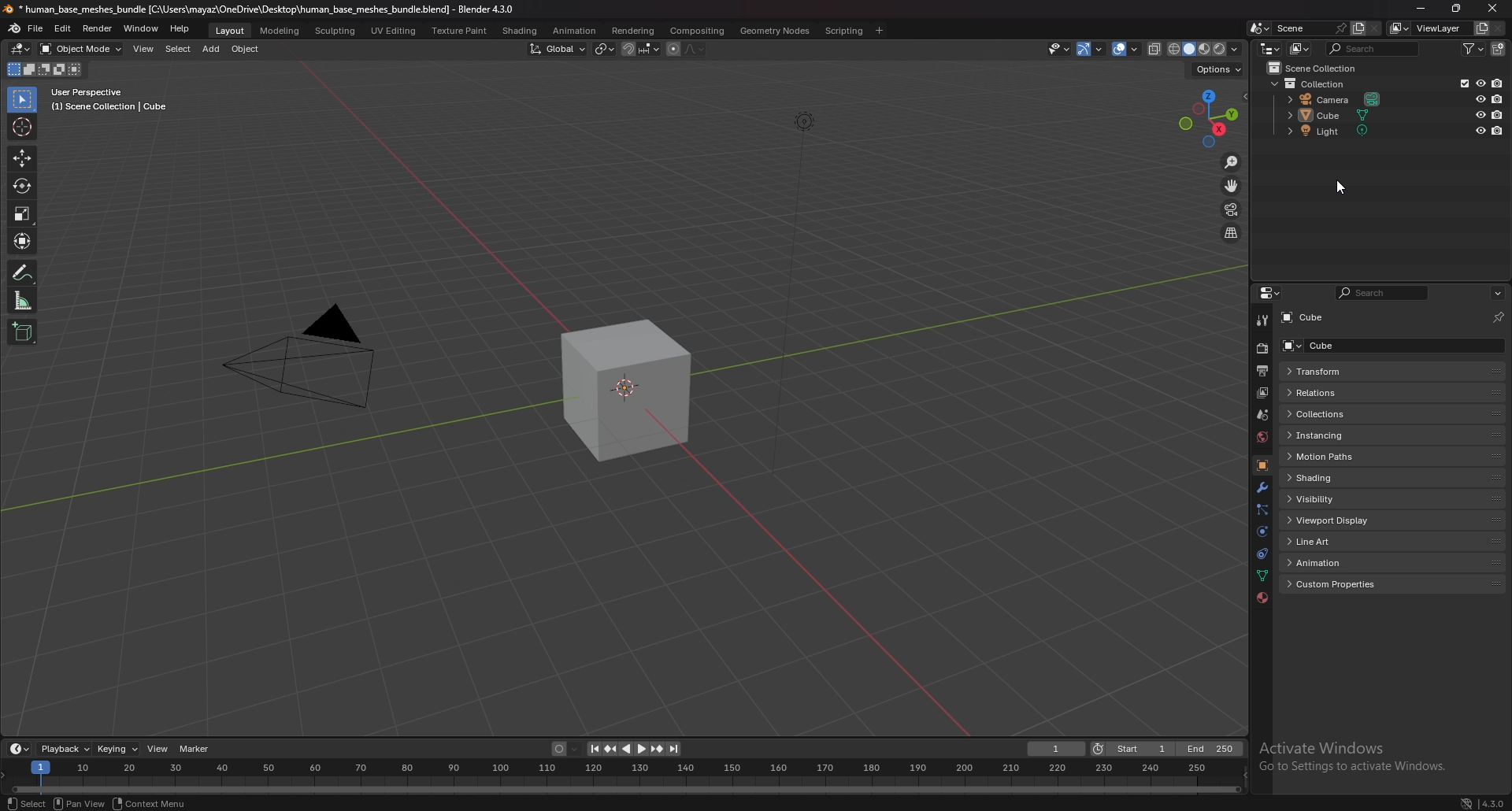 The height and width of the screenshot is (811, 1512). Describe the element at coordinates (1375, 48) in the screenshot. I see `search` at that location.